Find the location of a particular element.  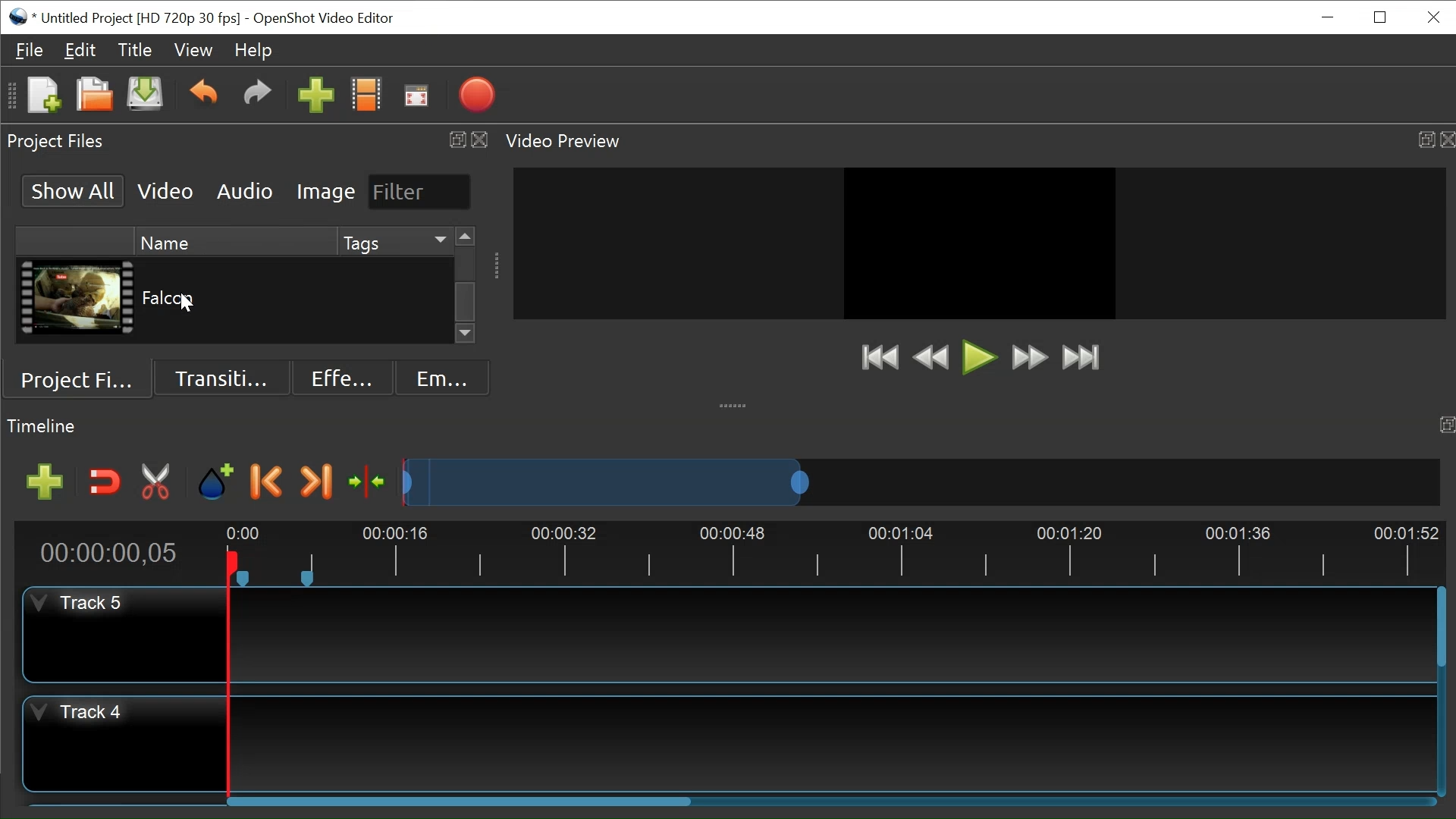

Center the timeline on the playhead is located at coordinates (365, 480).